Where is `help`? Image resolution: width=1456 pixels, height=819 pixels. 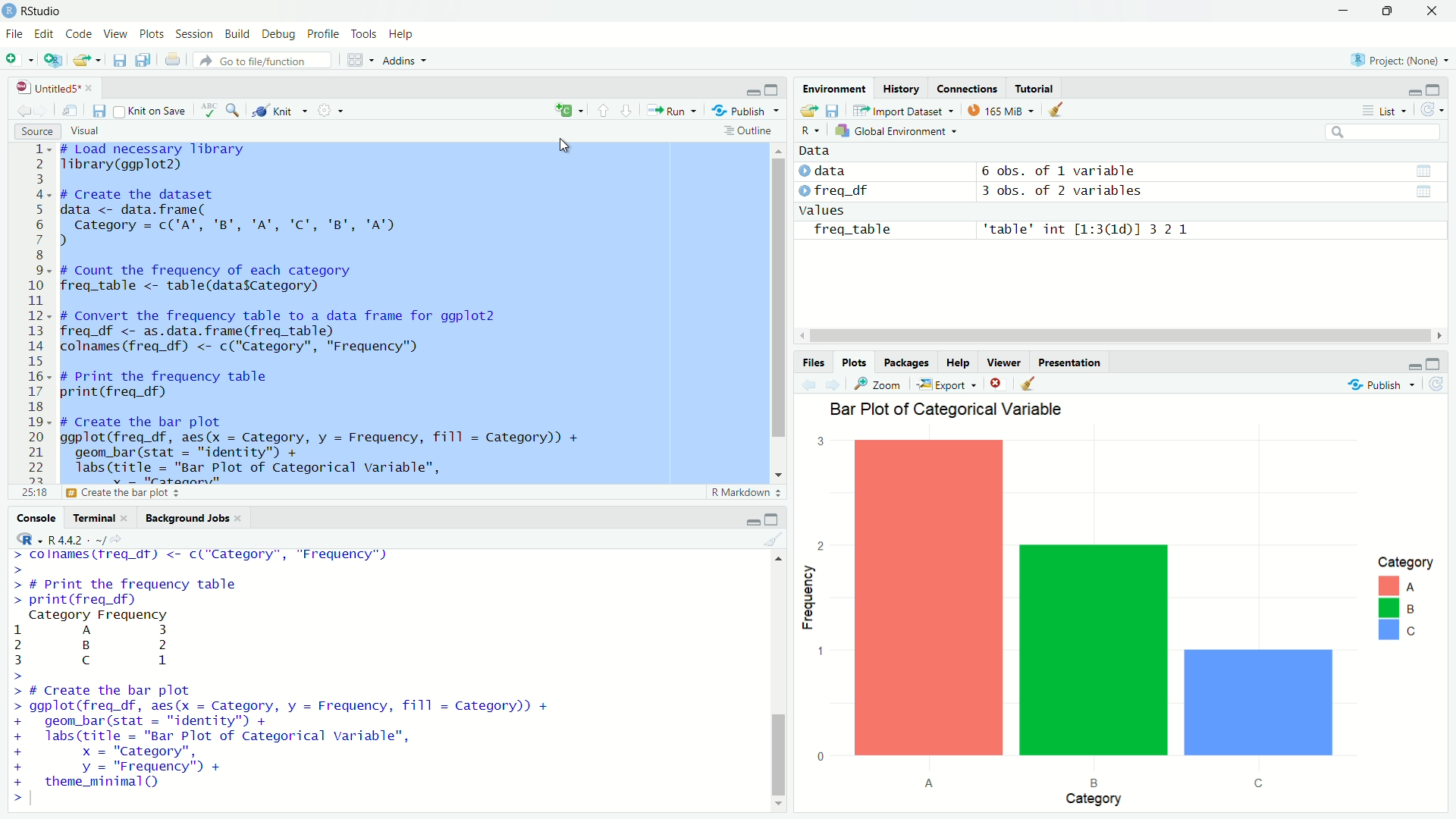 help is located at coordinates (403, 35).